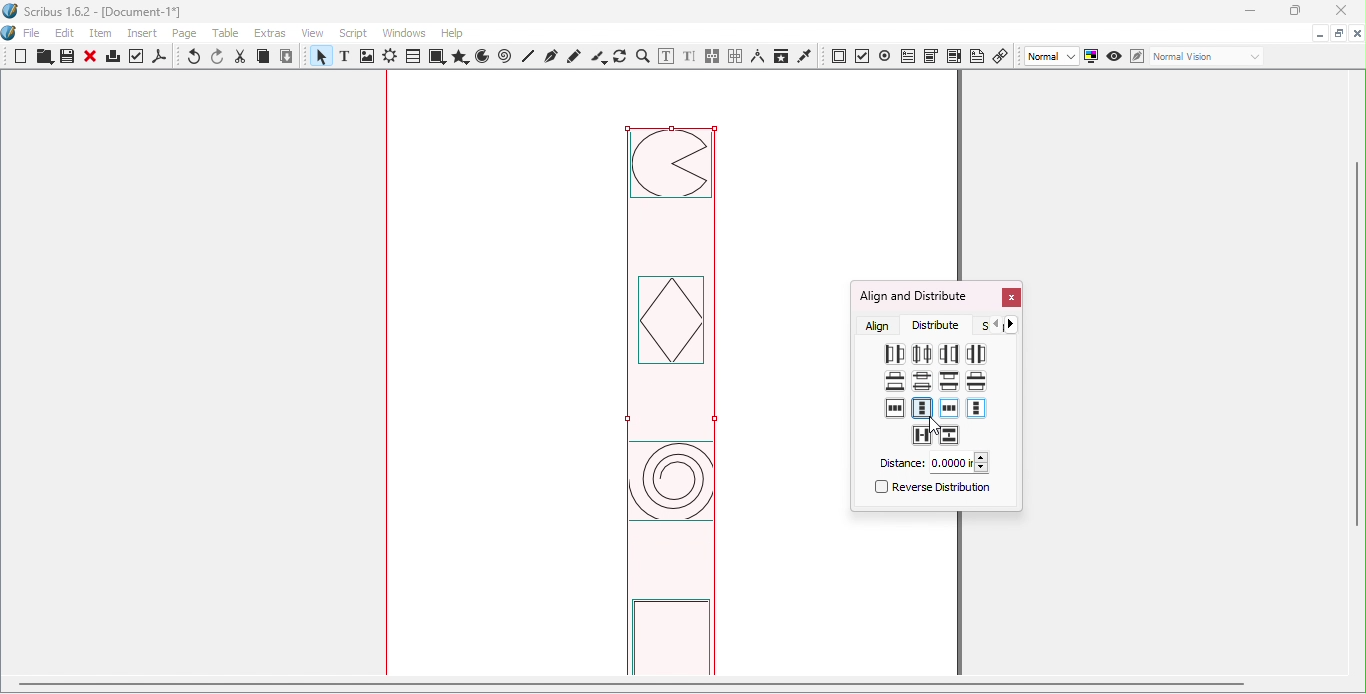 The height and width of the screenshot is (694, 1366). Describe the element at coordinates (287, 57) in the screenshot. I see `Paste` at that location.